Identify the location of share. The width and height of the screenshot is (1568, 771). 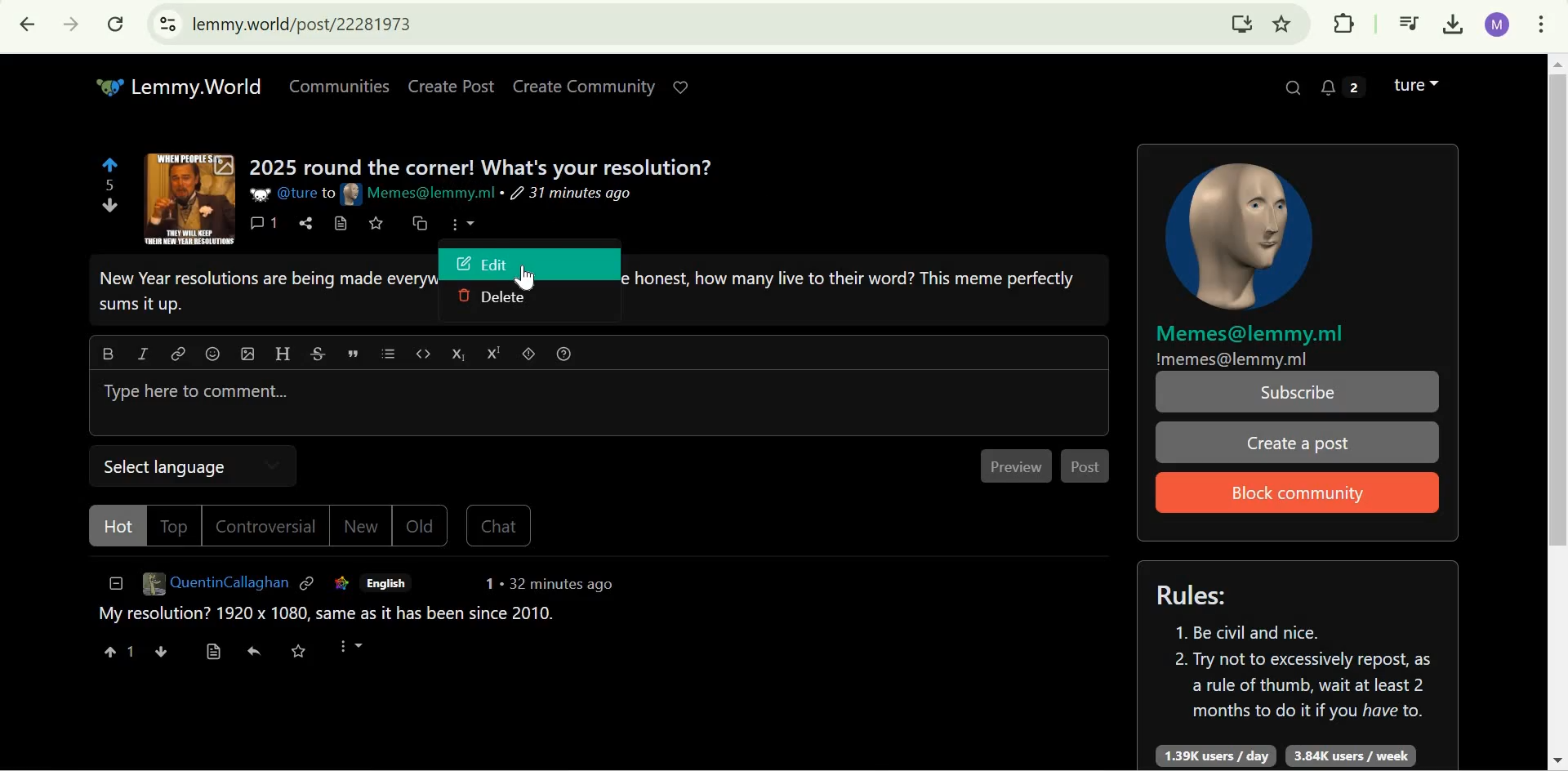
(308, 223).